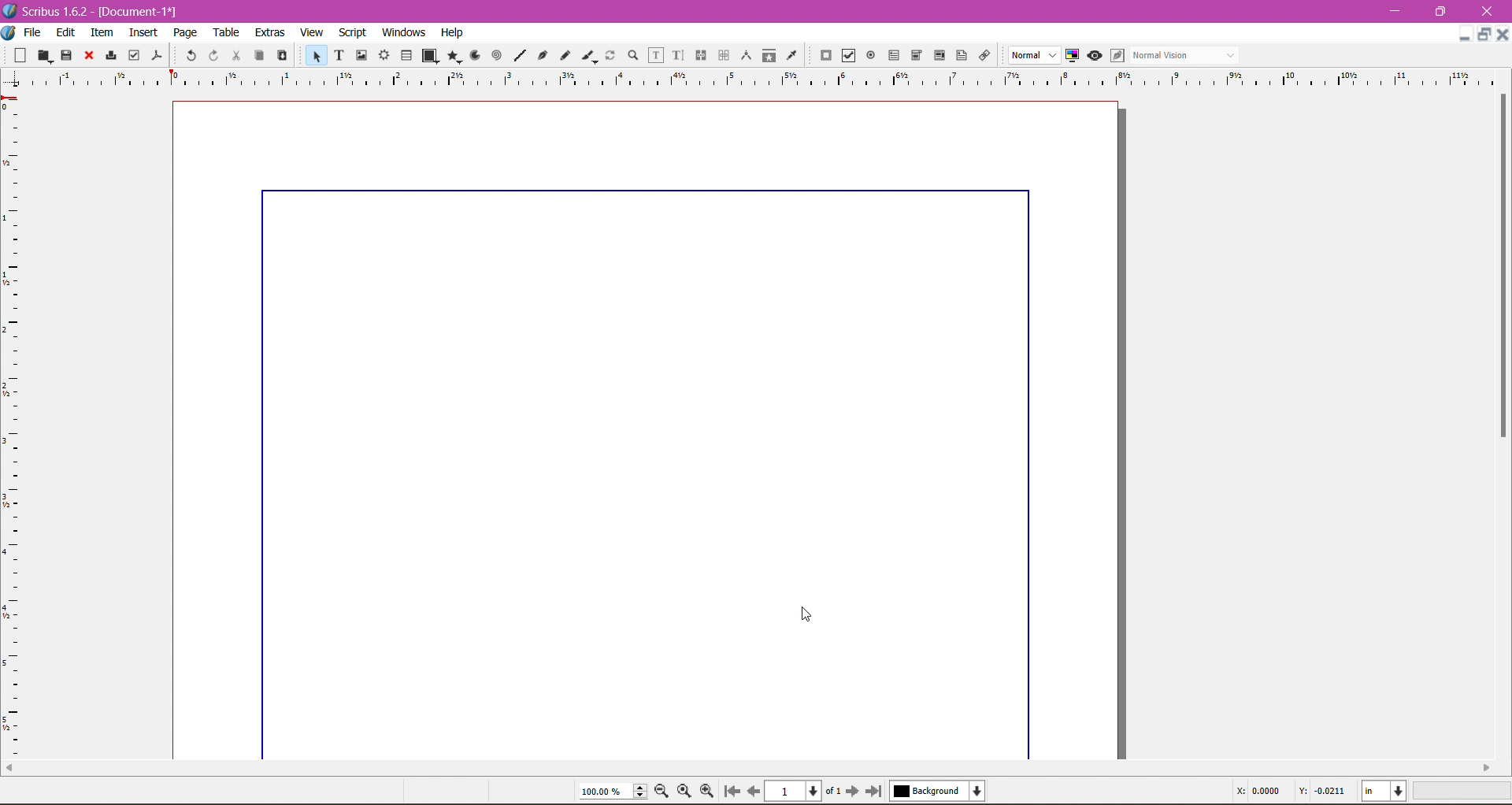  I want to click on Page, so click(183, 32).